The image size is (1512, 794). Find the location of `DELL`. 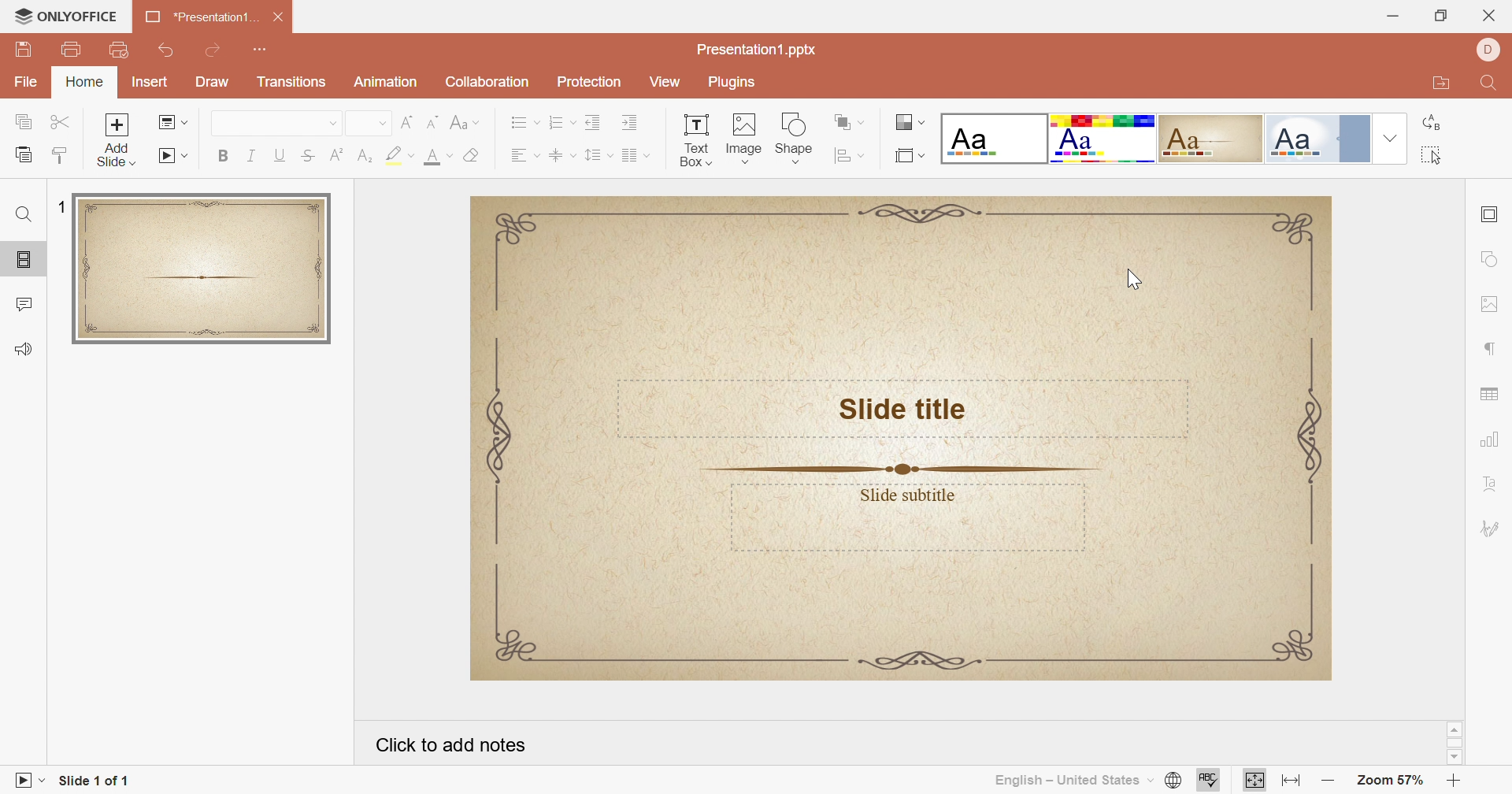

DELL is located at coordinates (1492, 50).